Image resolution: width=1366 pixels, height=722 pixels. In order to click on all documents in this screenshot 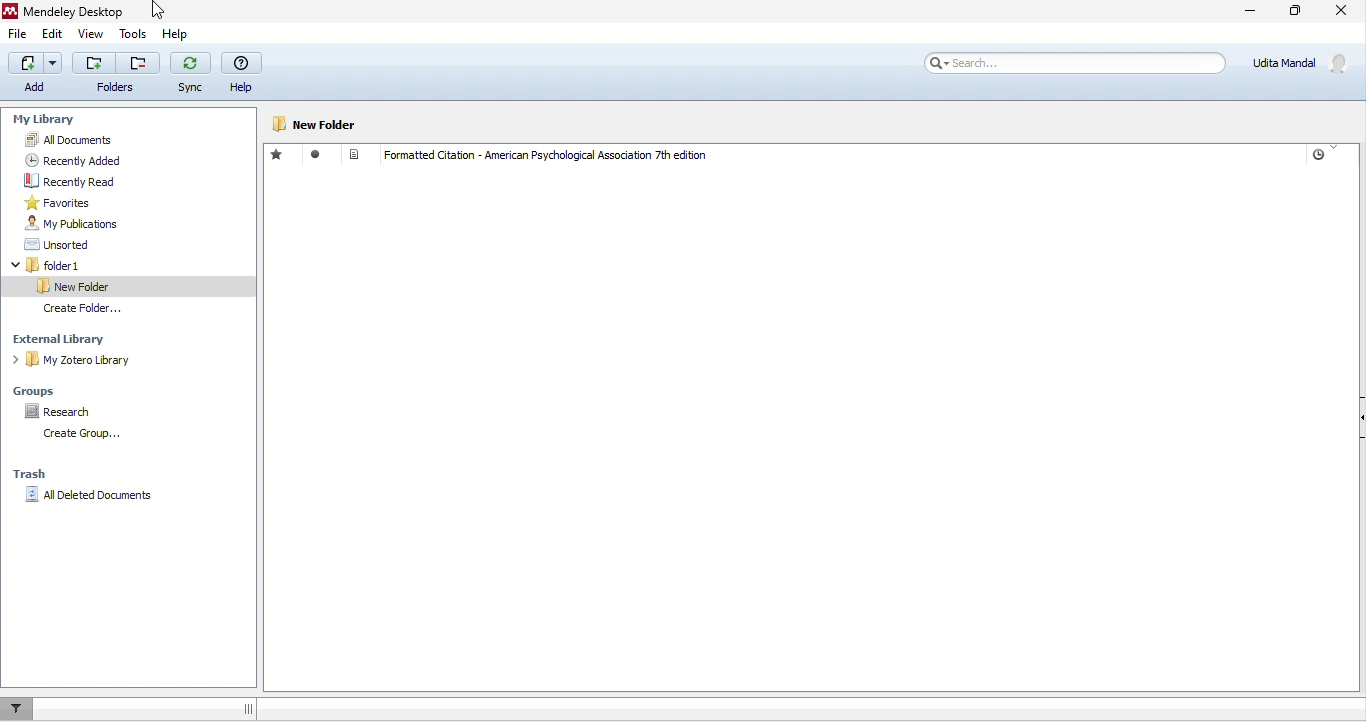, I will do `click(105, 140)`.